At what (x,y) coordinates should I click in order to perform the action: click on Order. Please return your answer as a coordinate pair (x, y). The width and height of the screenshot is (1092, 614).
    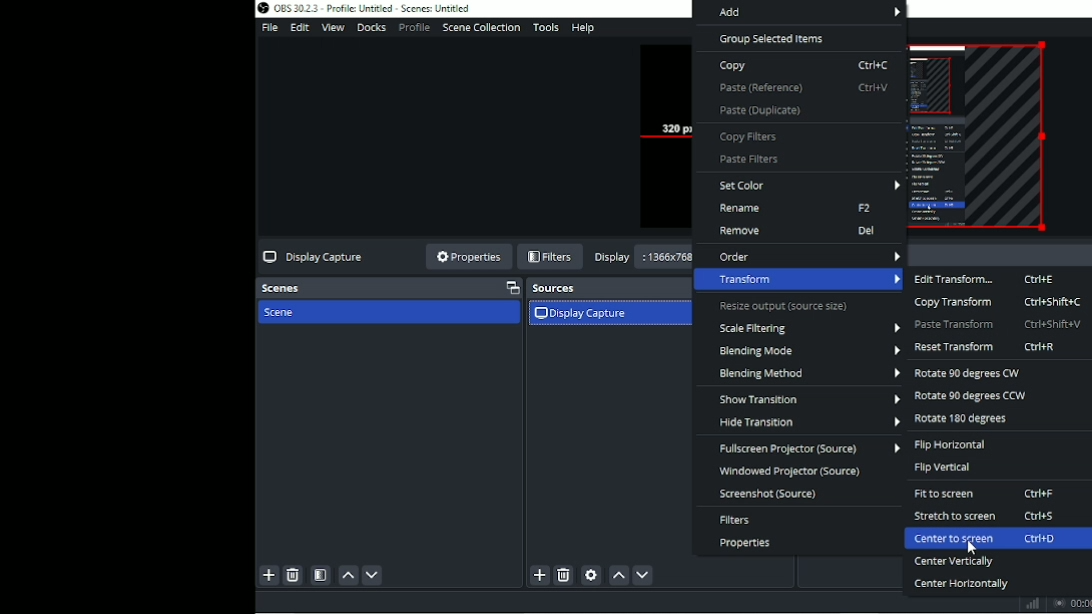
    Looking at the image, I should click on (805, 256).